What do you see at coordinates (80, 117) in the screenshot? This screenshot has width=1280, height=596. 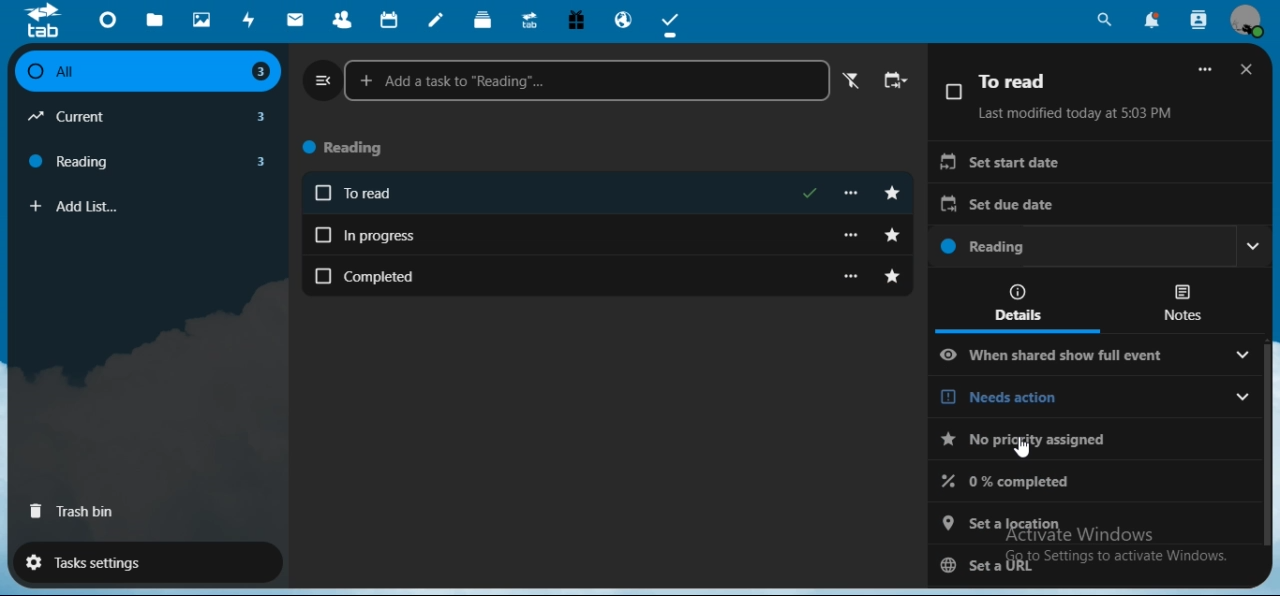 I see `current` at bounding box center [80, 117].